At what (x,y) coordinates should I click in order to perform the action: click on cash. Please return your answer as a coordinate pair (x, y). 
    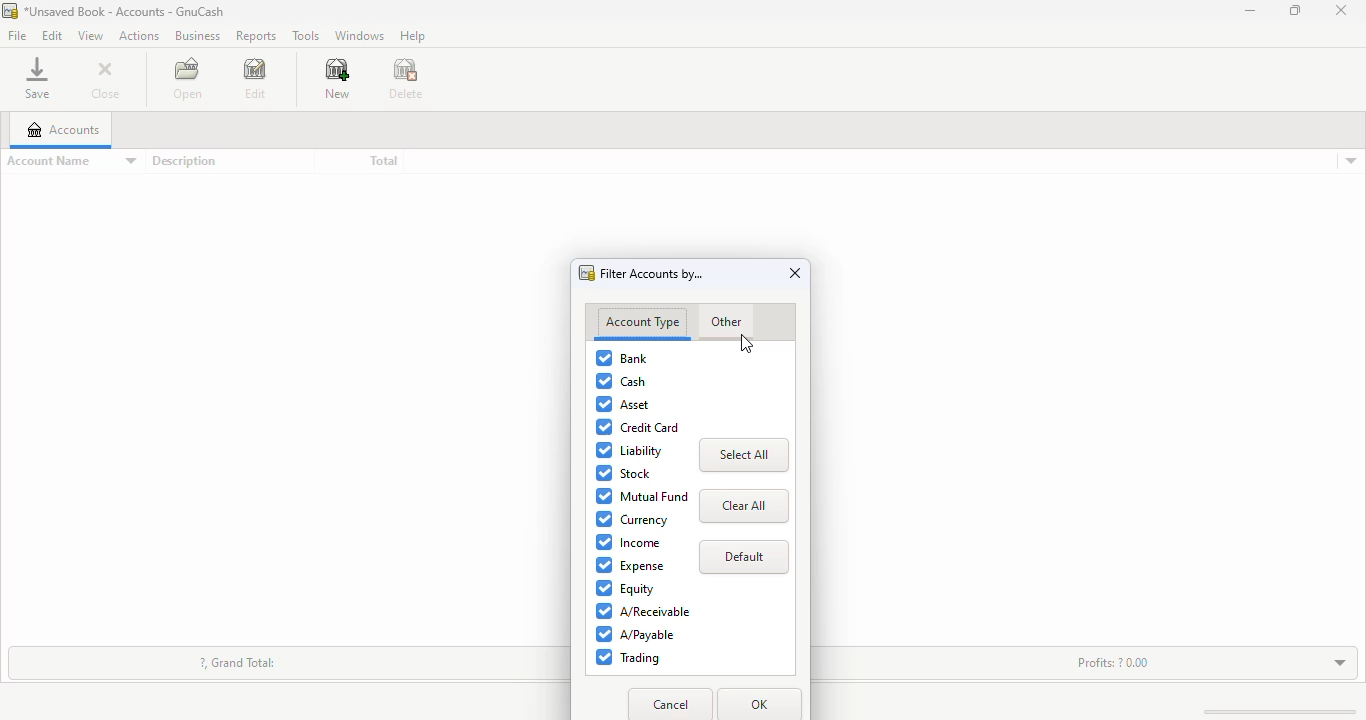
    Looking at the image, I should click on (622, 382).